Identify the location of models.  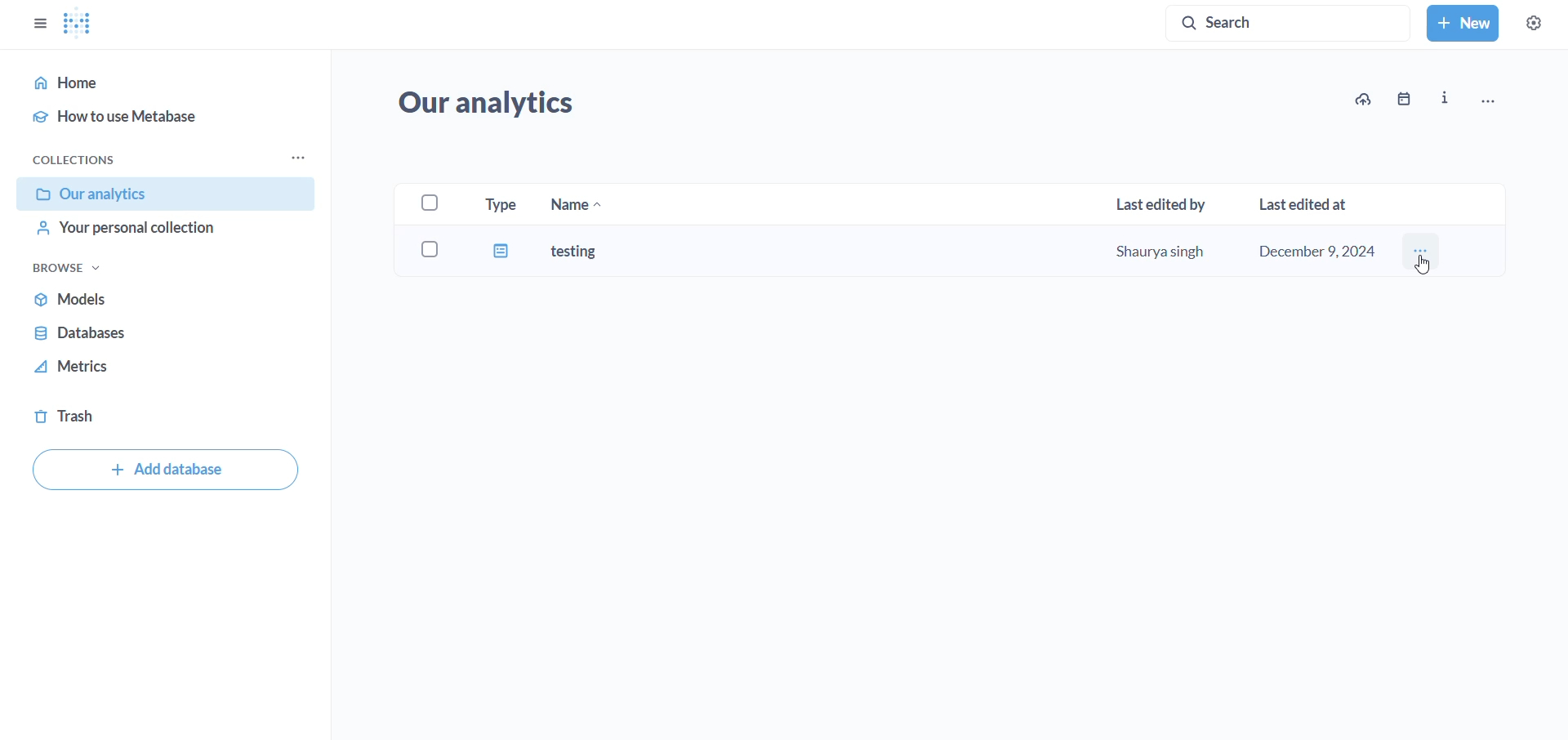
(161, 304).